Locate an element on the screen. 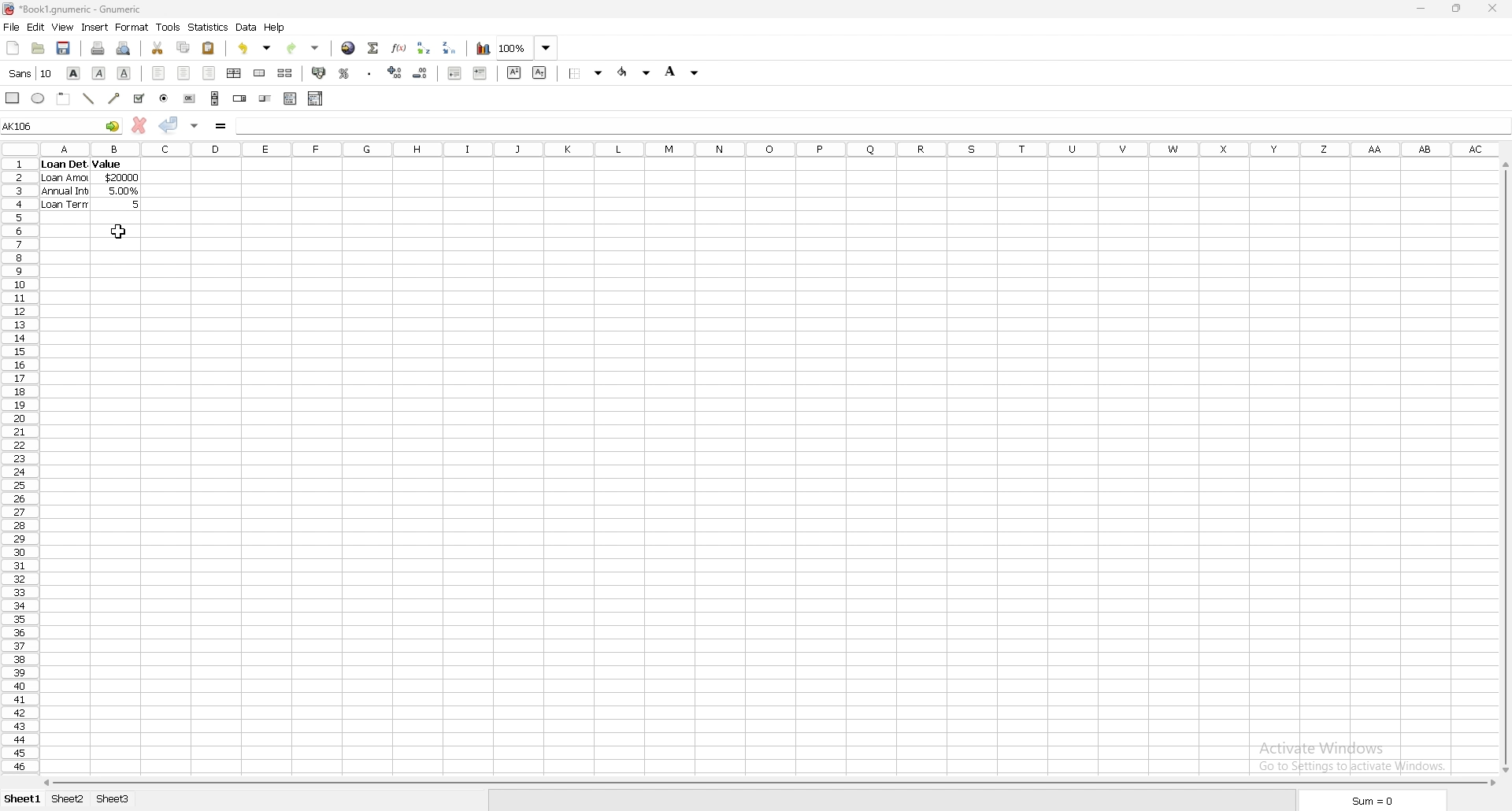 The width and height of the screenshot is (1512, 811). copy is located at coordinates (183, 48).